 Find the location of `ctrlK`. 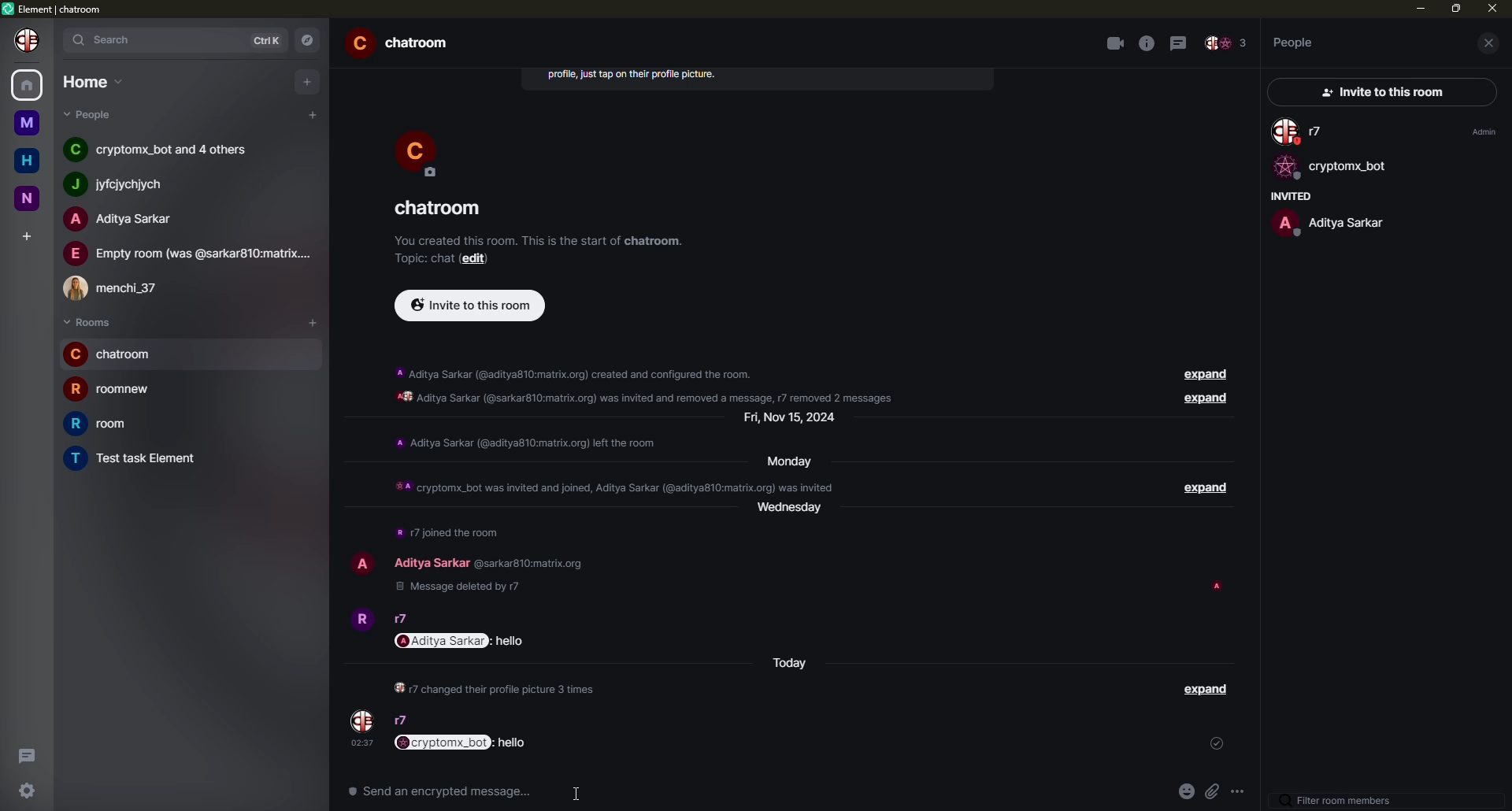

ctrlK is located at coordinates (267, 41).